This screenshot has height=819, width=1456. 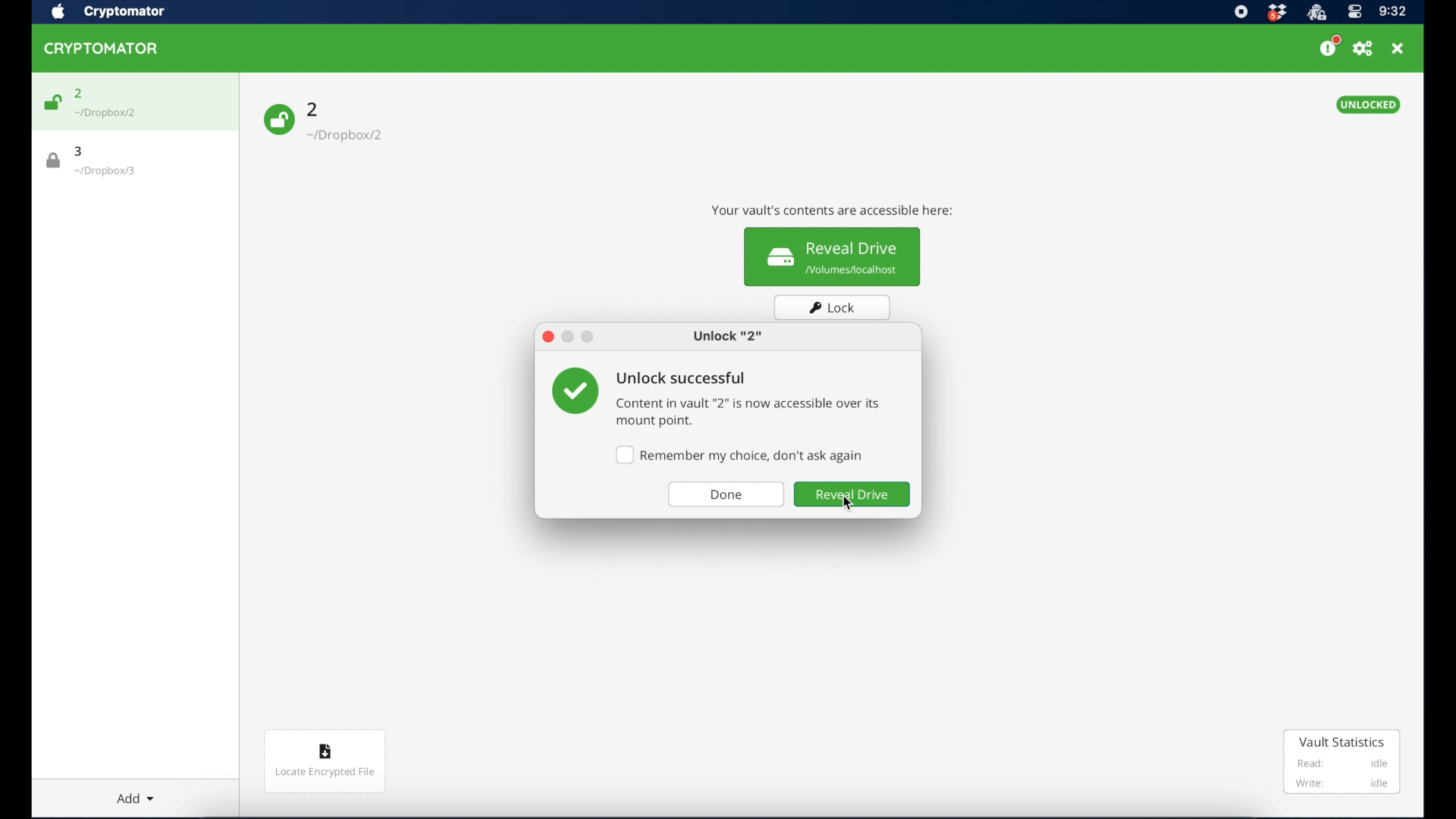 I want to click on close, so click(x=1399, y=49).